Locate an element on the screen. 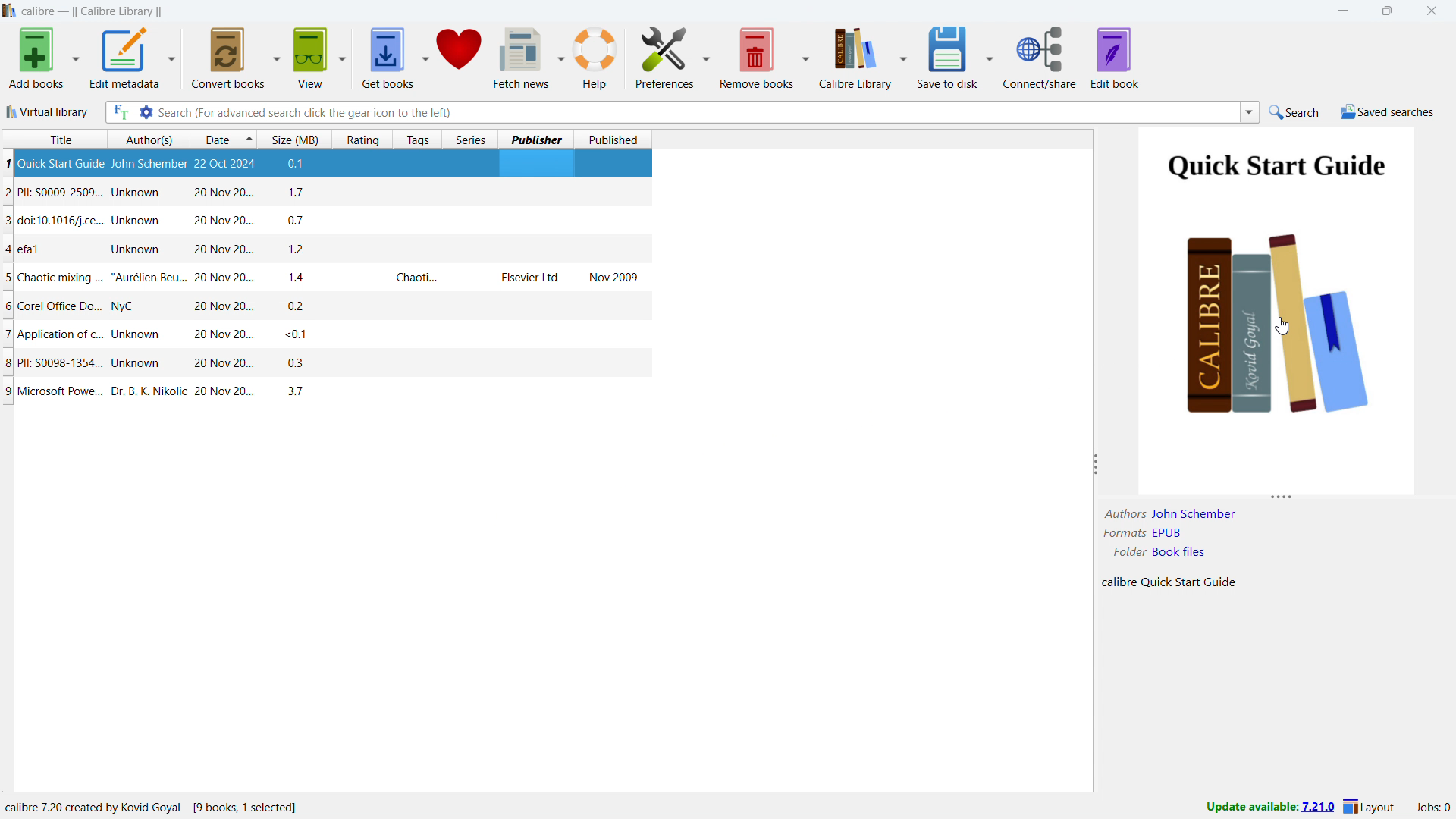 This screenshot has height=819, width=1456. published is located at coordinates (613, 138).